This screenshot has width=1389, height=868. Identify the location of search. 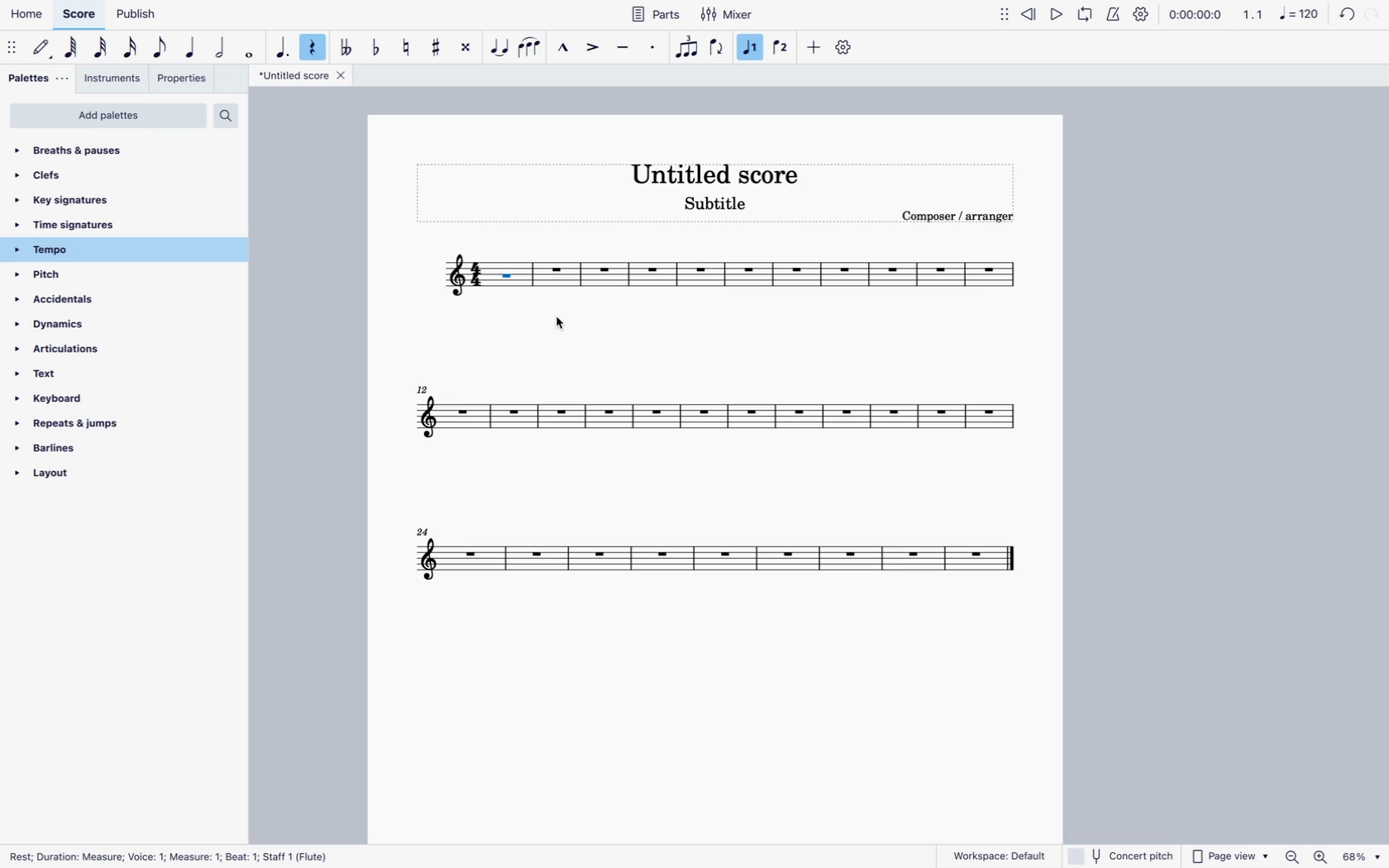
(231, 117).